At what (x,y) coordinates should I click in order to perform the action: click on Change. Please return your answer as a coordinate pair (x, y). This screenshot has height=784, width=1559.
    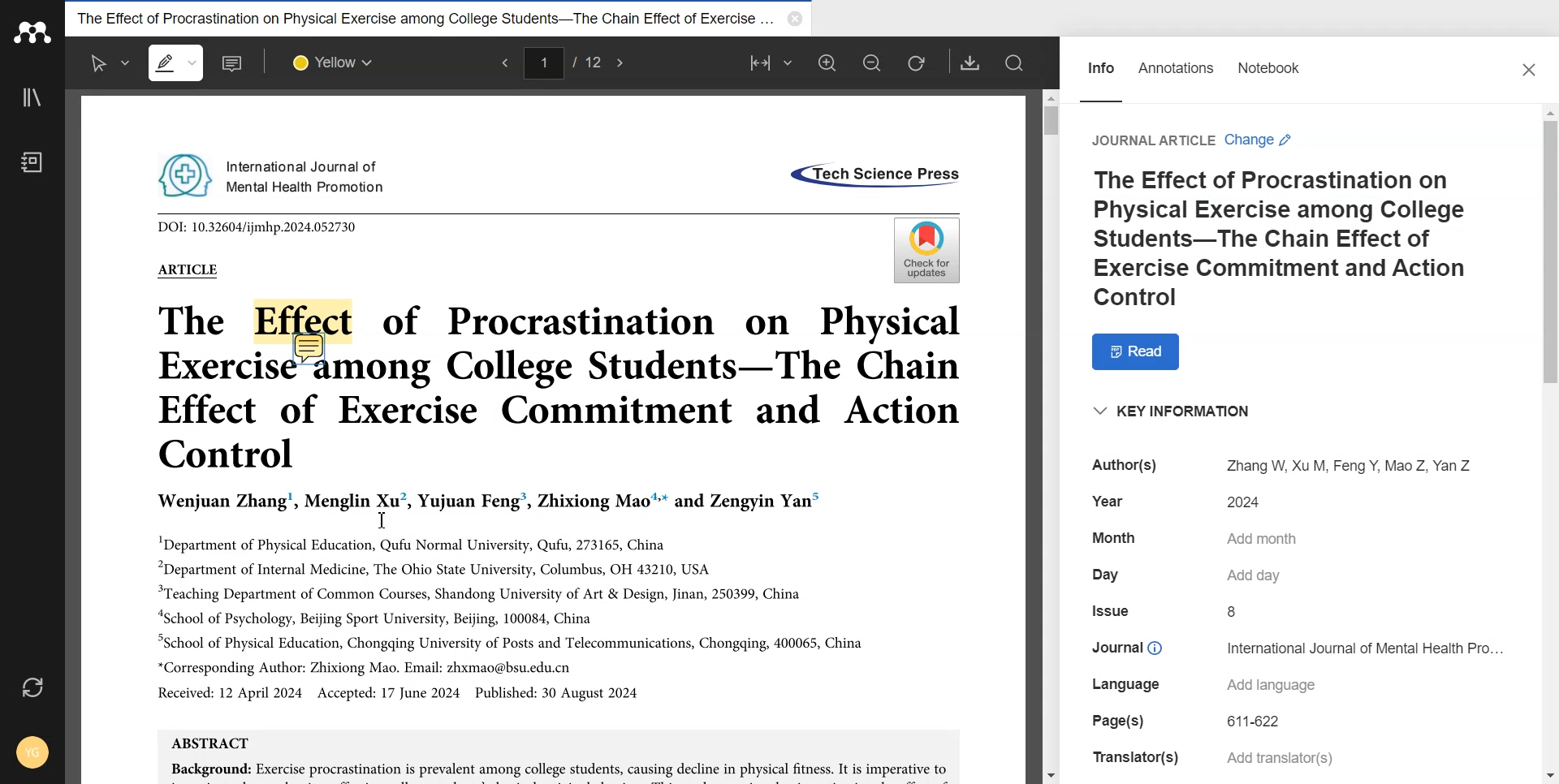
    Looking at the image, I should click on (1262, 140).